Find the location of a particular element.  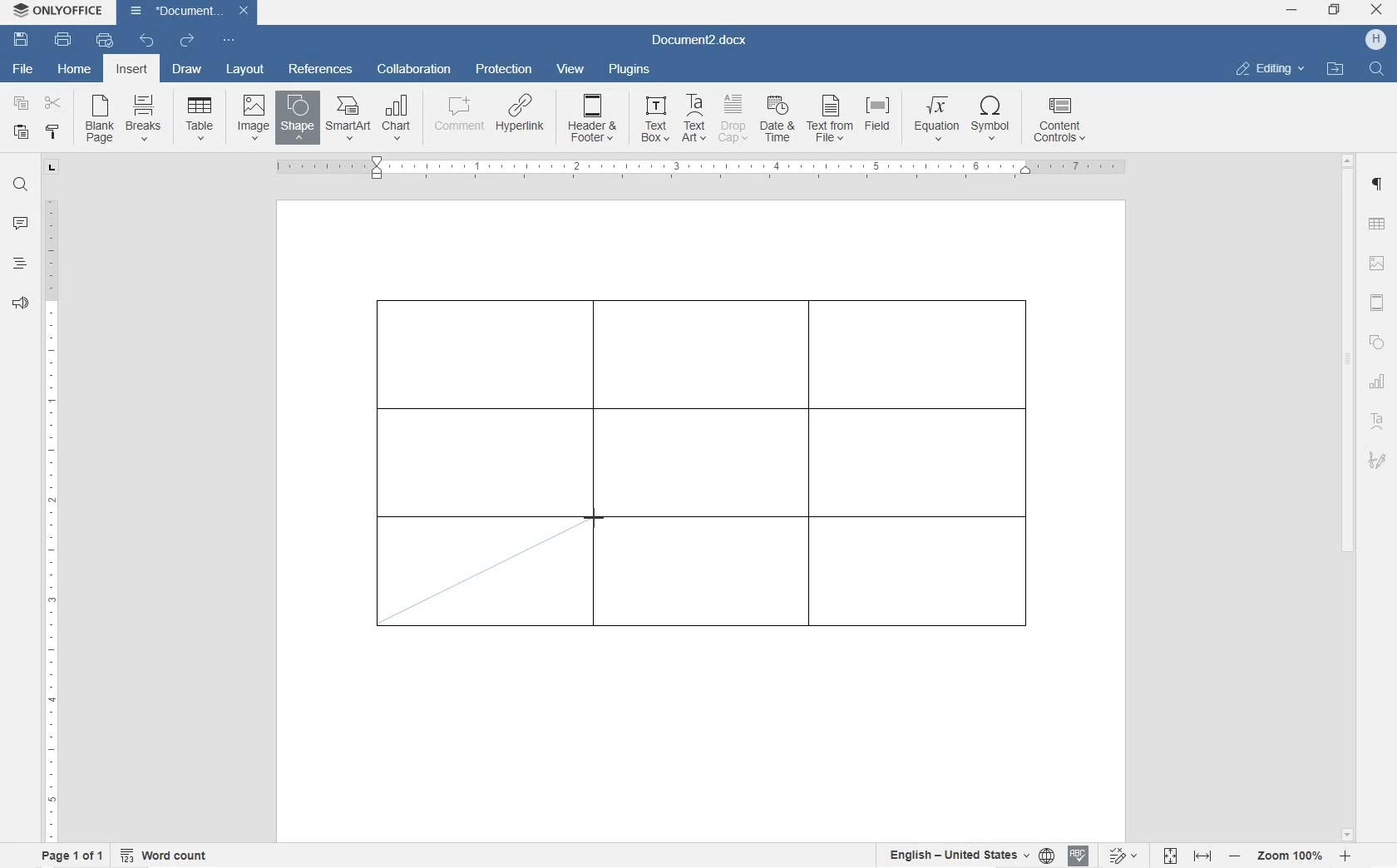

home is located at coordinates (76, 70).